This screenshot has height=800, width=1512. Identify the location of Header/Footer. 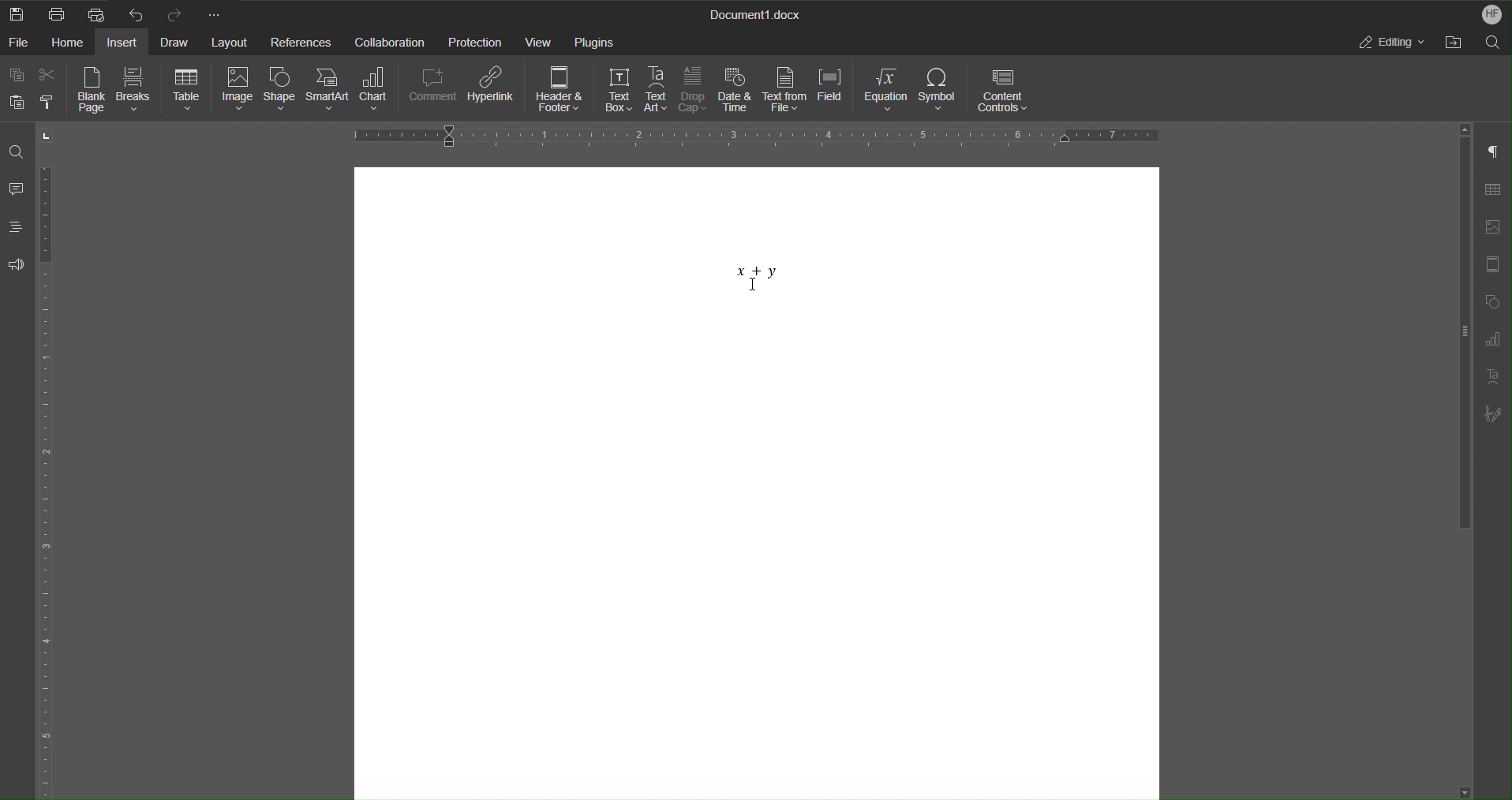
(1492, 264).